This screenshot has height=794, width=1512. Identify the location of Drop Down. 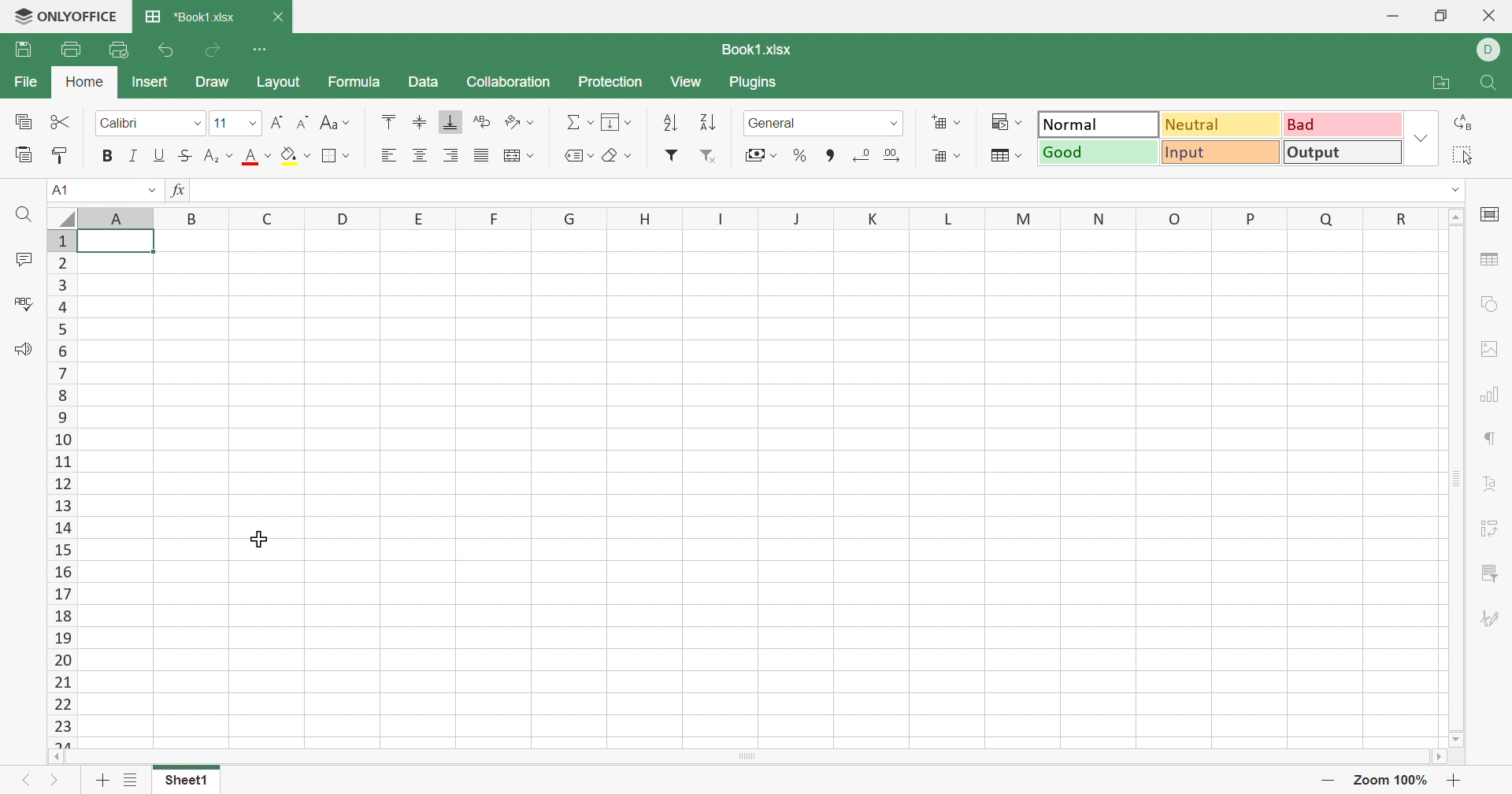
(231, 155).